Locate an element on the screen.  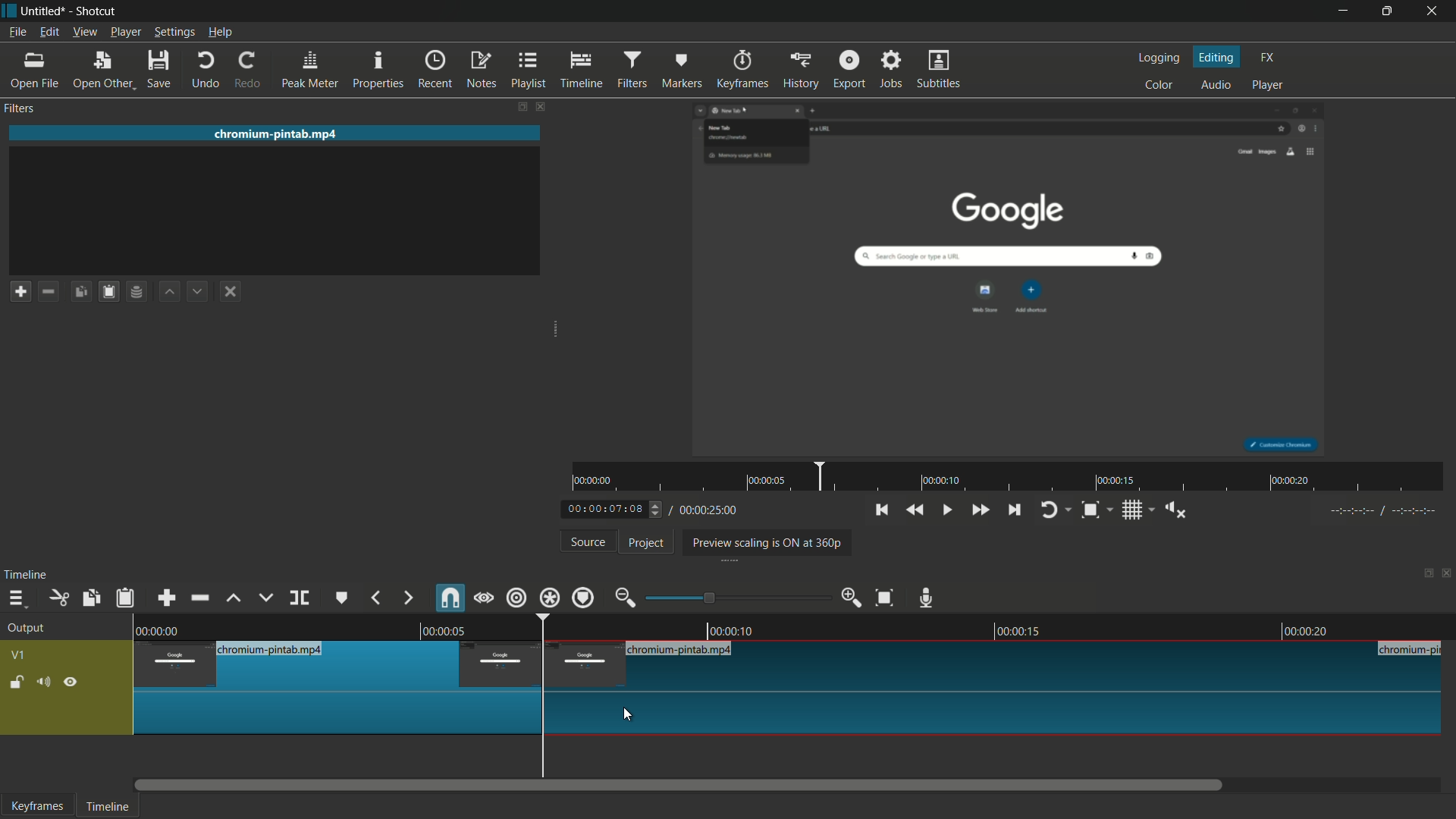
lift is located at coordinates (235, 599).